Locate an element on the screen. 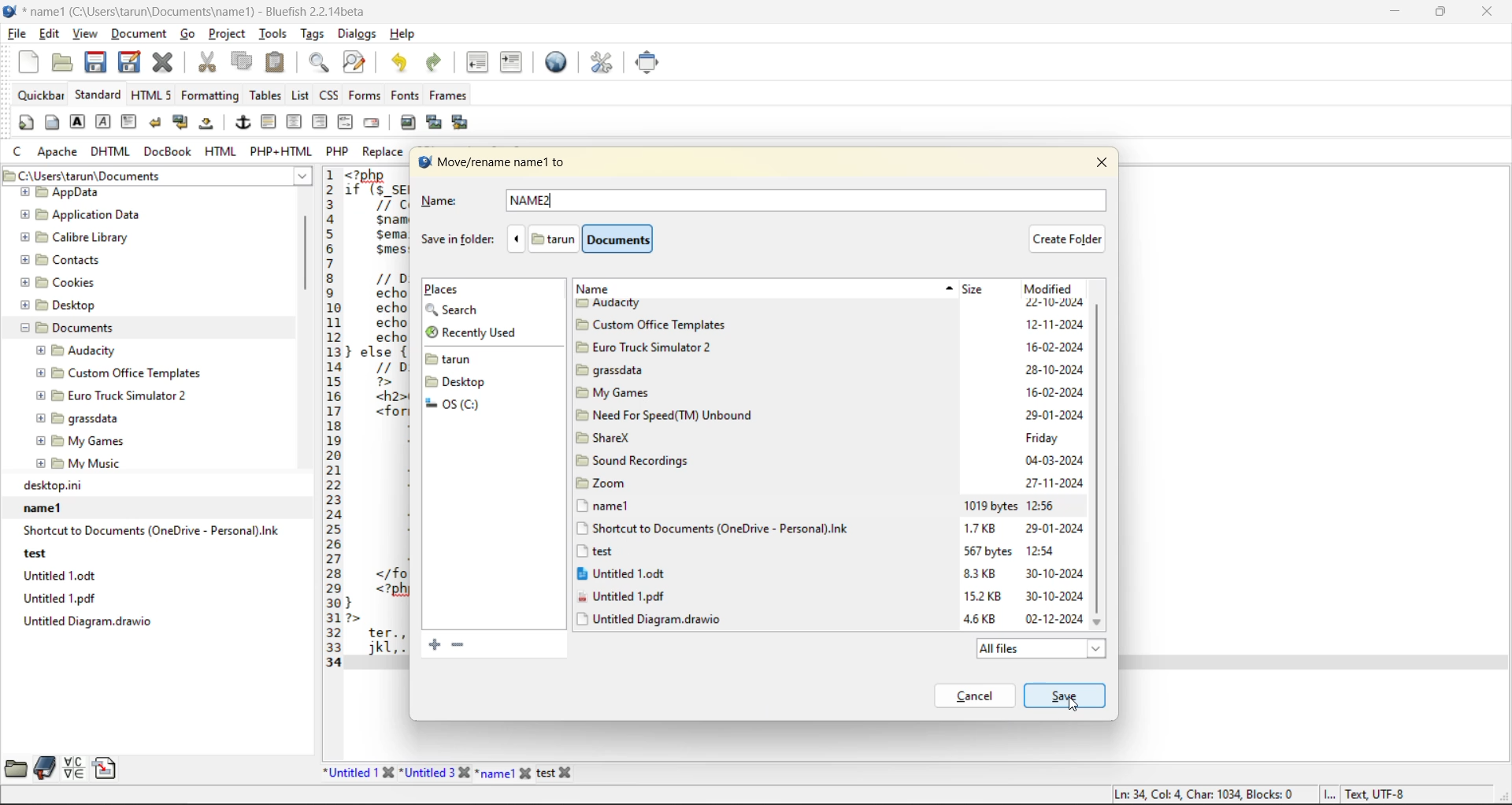 The image size is (1512, 805). code editor is located at coordinates (368, 418).